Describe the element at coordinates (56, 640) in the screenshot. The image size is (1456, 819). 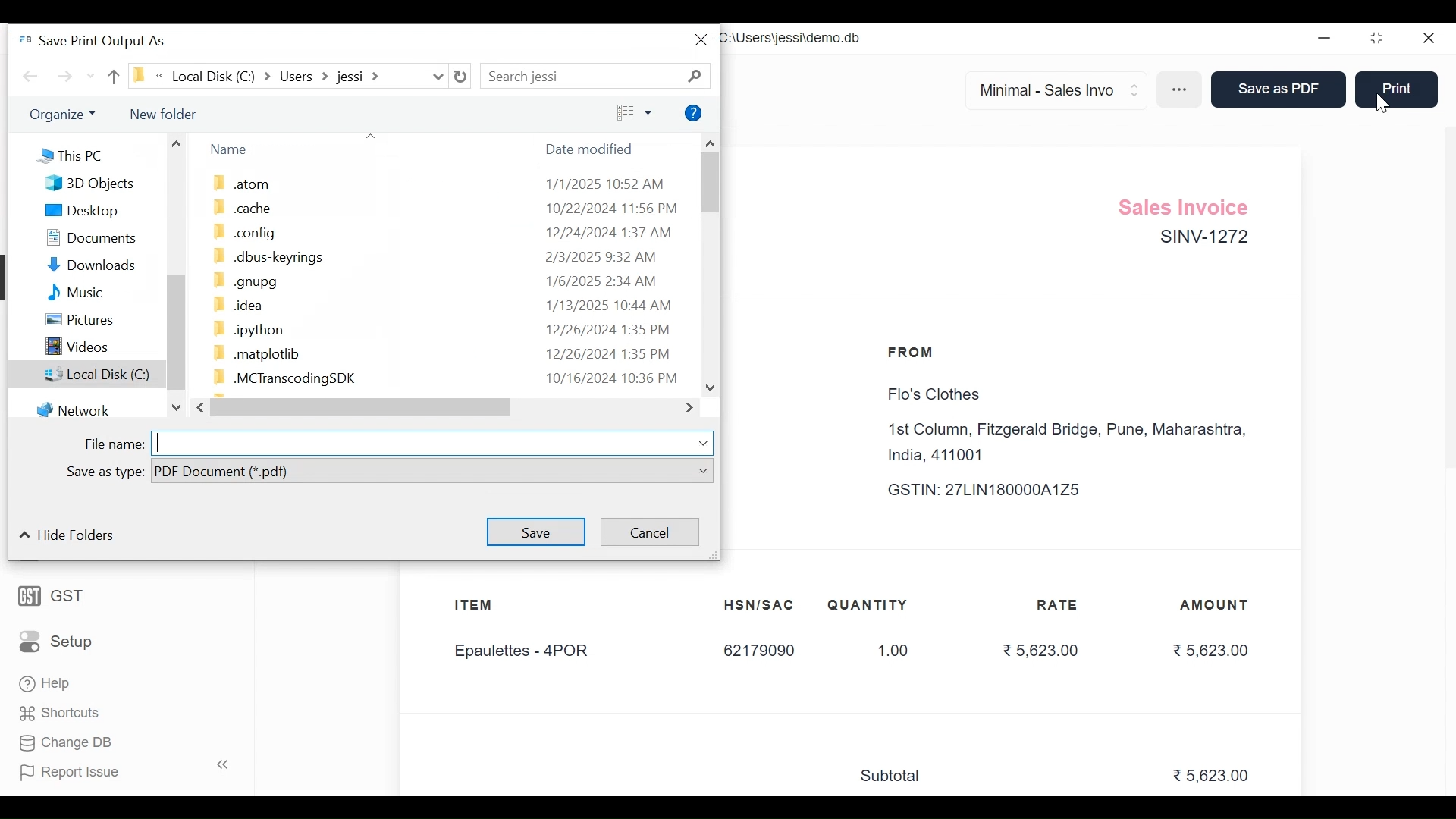
I see `Setup` at that location.